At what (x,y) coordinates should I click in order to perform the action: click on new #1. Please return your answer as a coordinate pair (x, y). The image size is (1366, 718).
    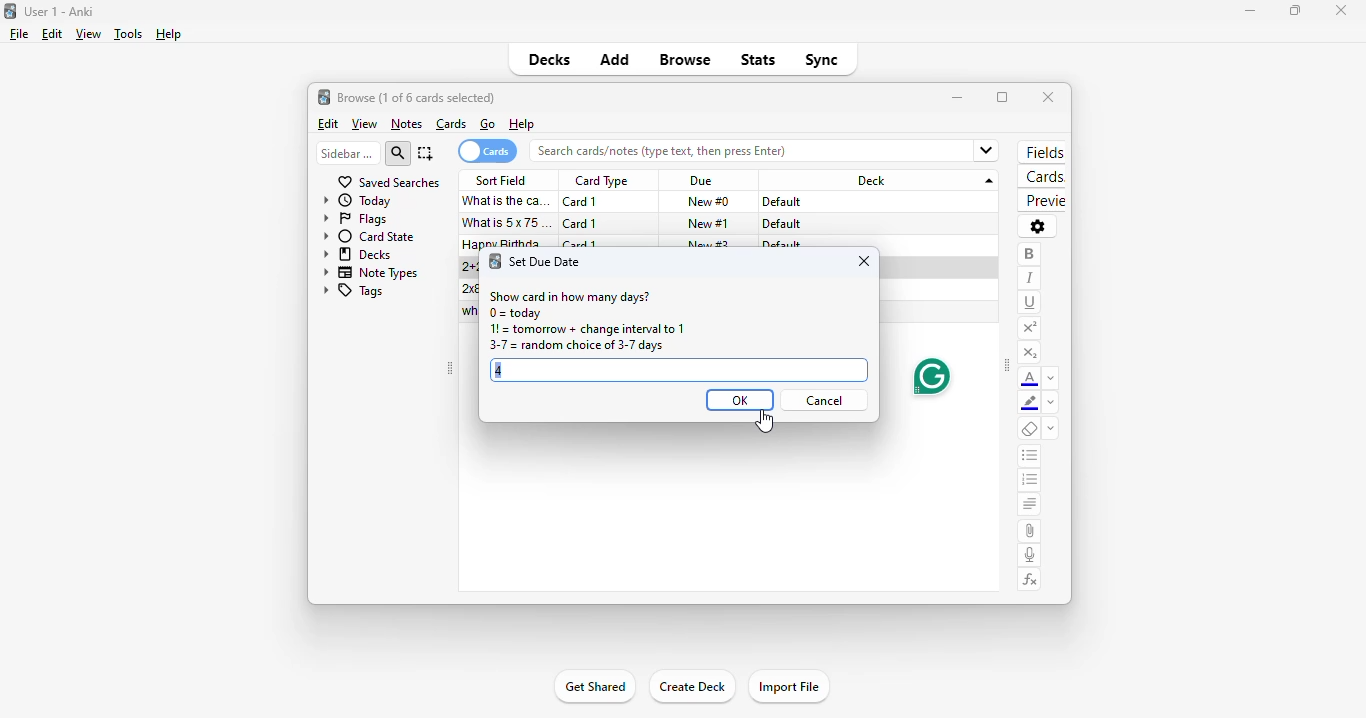
    Looking at the image, I should click on (709, 223).